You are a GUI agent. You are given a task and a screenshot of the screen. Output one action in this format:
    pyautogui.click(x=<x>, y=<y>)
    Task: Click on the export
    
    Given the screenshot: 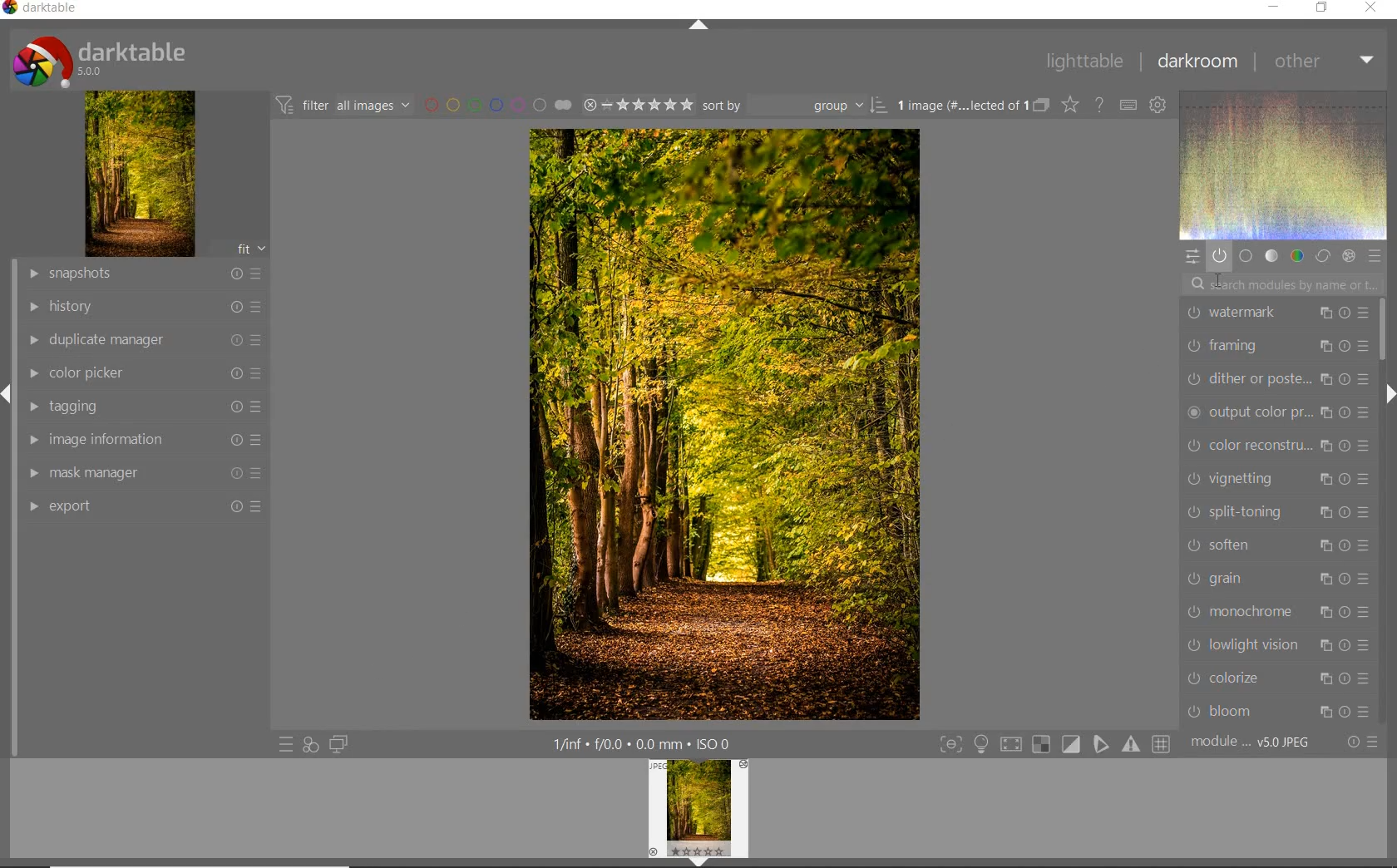 What is the action you would take?
    pyautogui.click(x=146, y=506)
    